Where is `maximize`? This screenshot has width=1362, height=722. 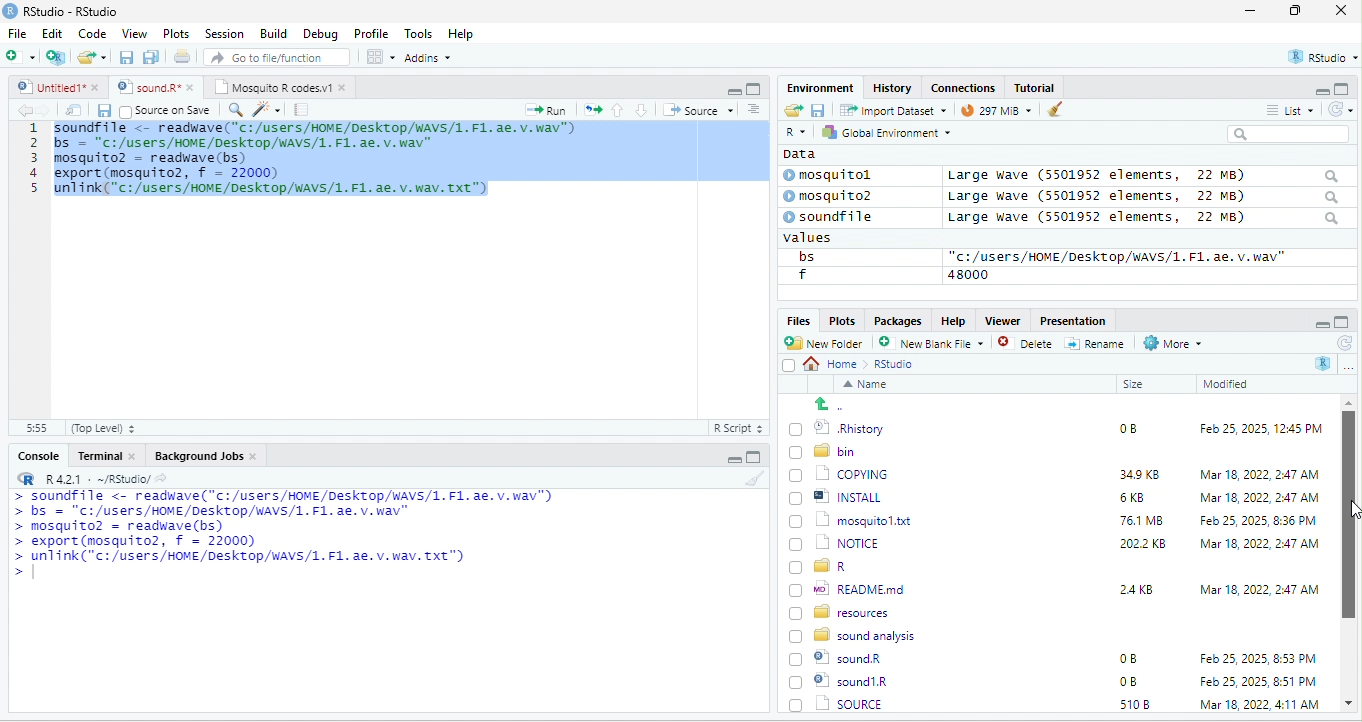 maximize is located at coordinates (1344, 88).